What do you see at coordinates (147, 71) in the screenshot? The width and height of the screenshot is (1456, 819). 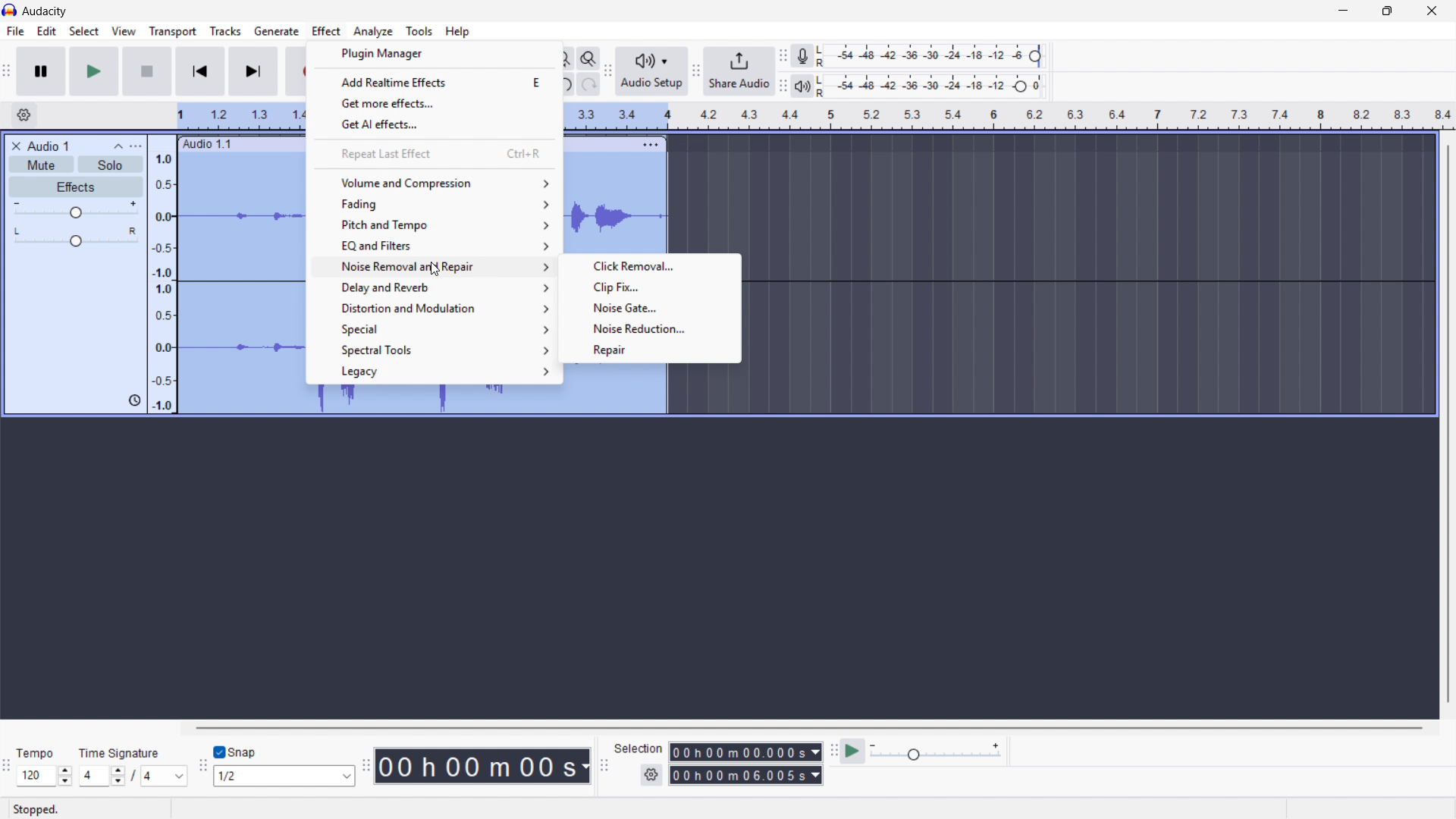 I see `Stop ` at bounding box center [147, 71].